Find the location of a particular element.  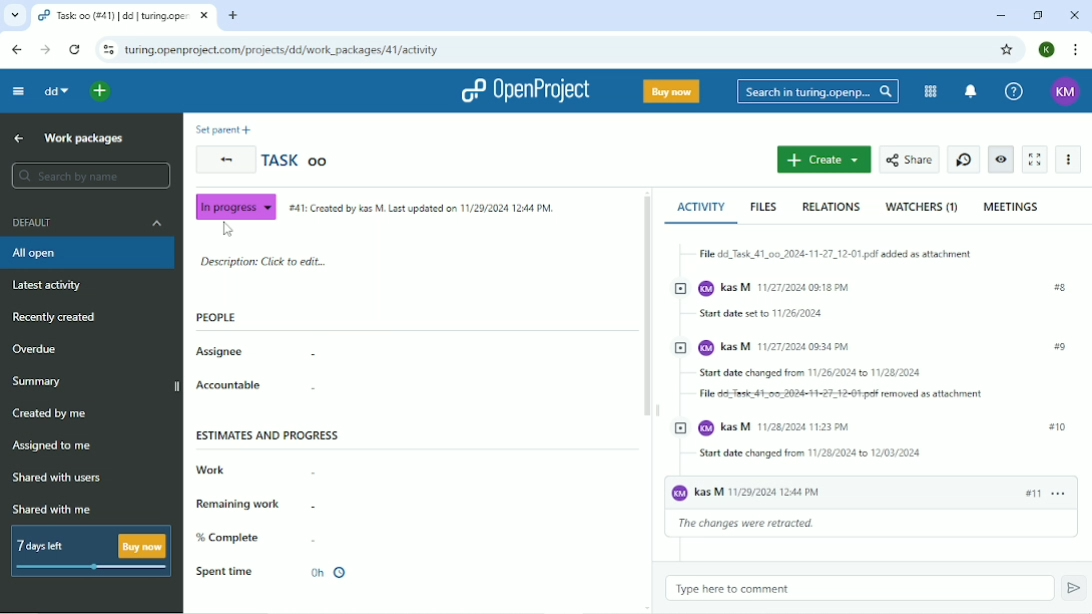

Reload this page is located at coordinates (76, 49).